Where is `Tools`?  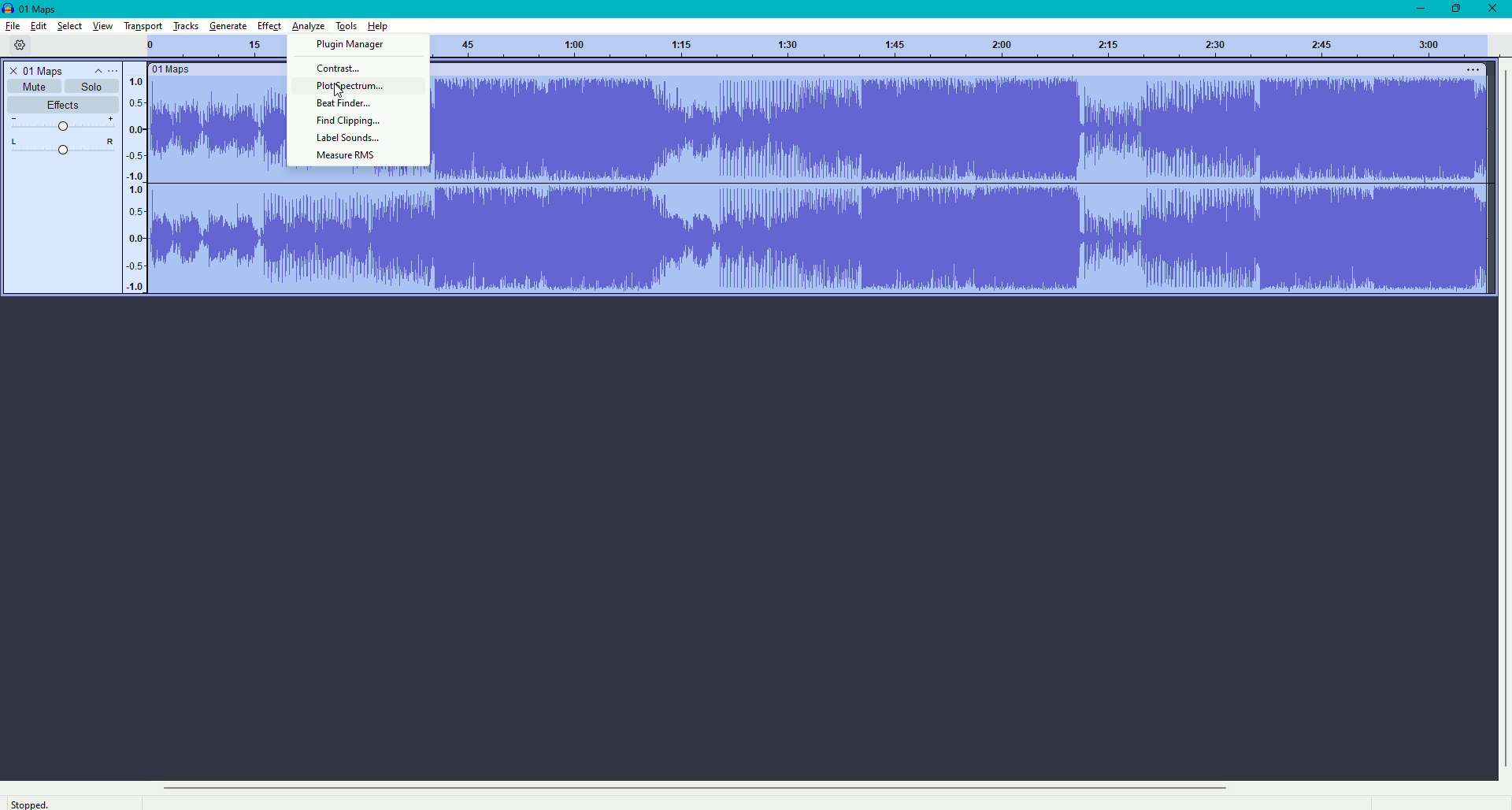 Tools is located at coordinates (344, 26).